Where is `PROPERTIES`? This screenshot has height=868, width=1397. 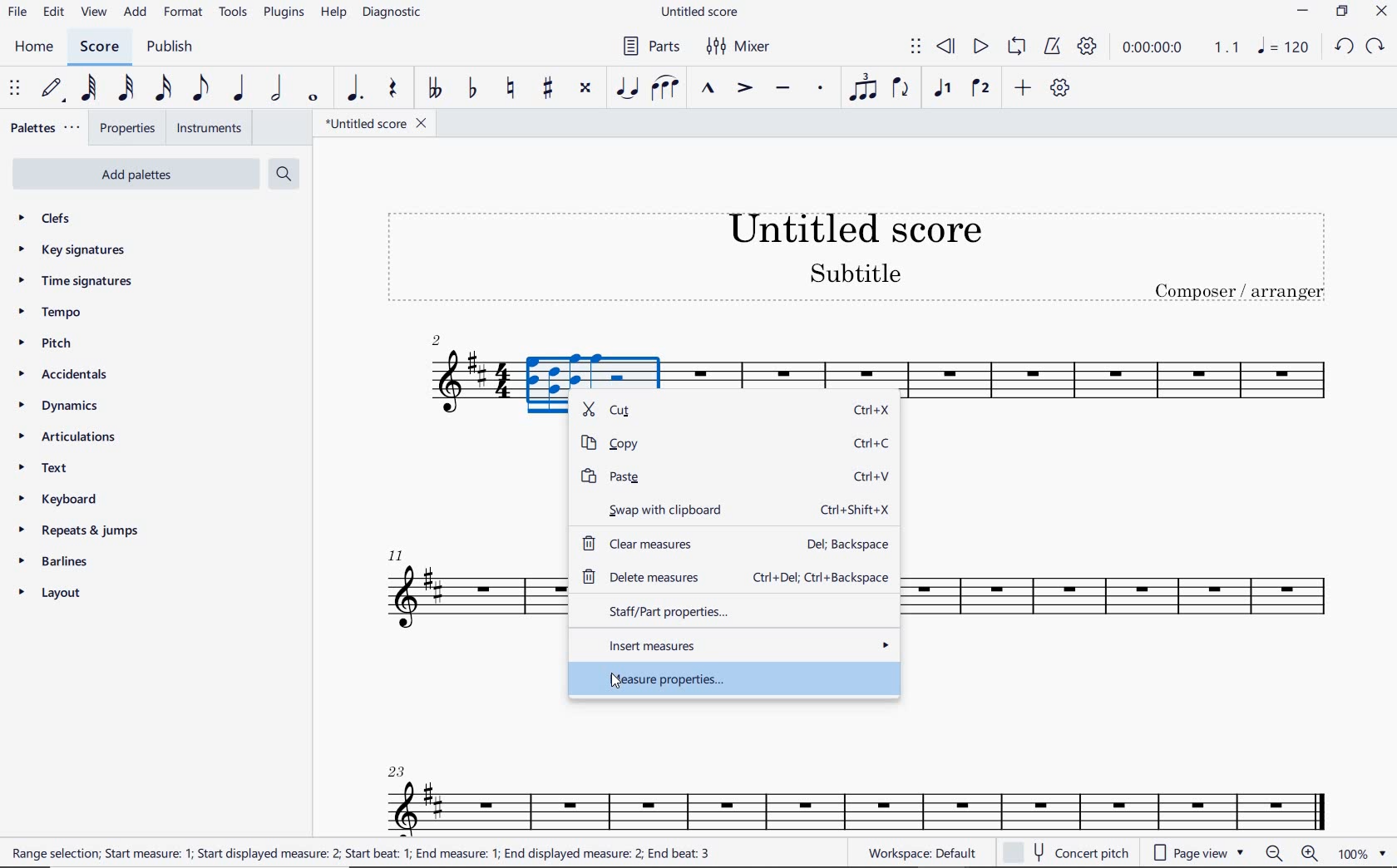
PROPERTIES is located at coordinates (126, 131).